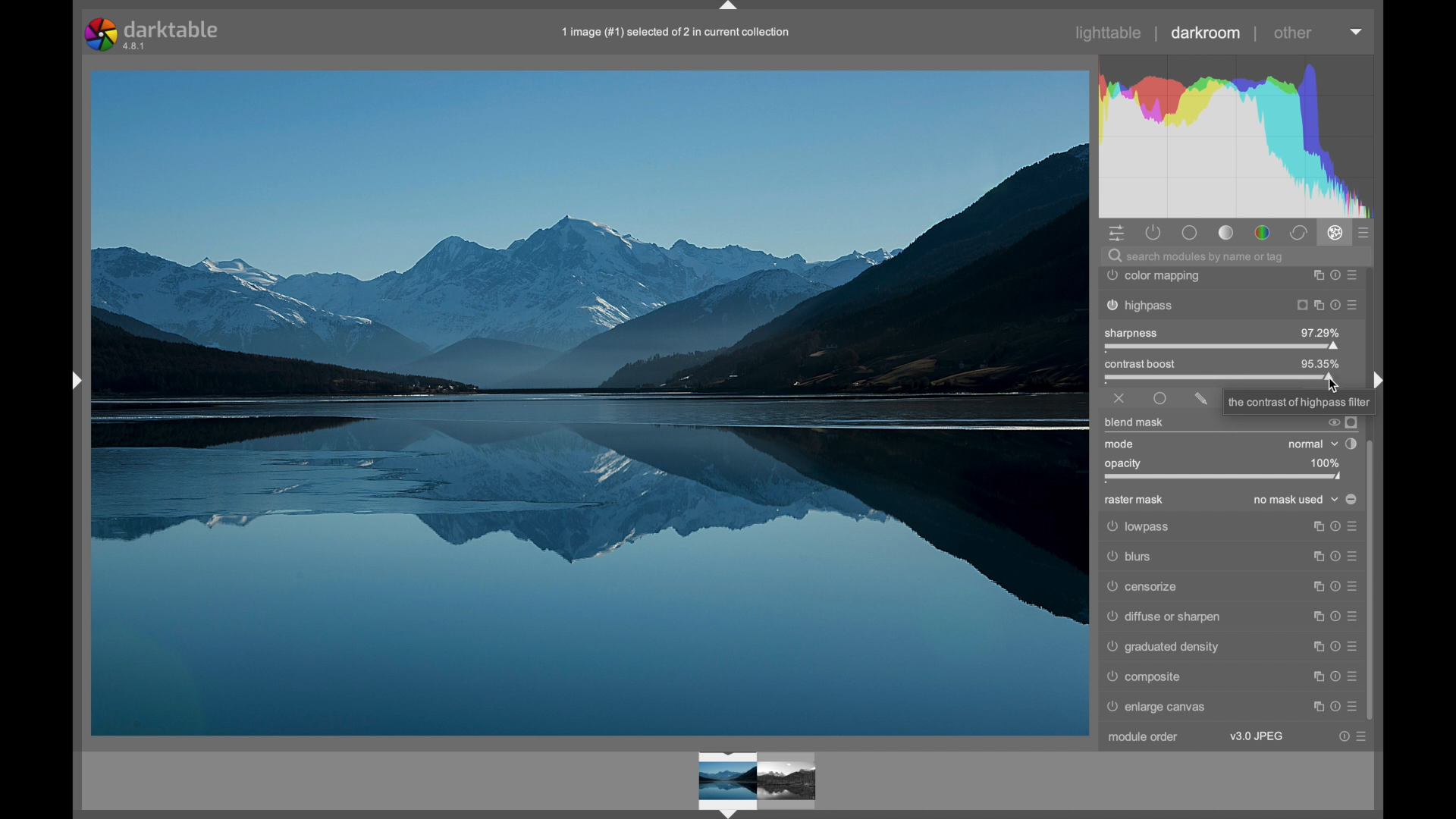 This screenshot has width=1456, height=819. Describe the element at coordinates (1144, 736) in the screenshot. I see `module order` at that location.